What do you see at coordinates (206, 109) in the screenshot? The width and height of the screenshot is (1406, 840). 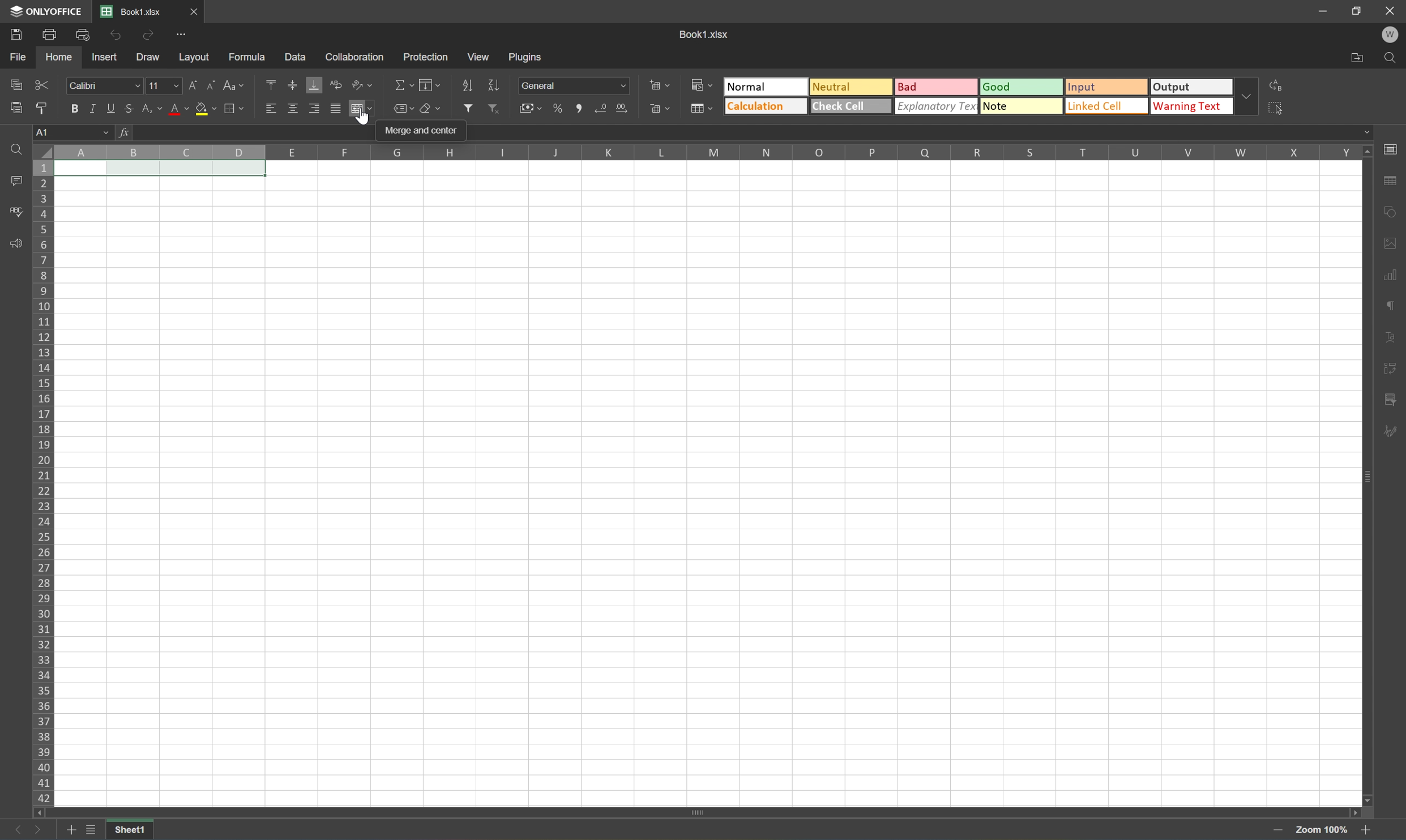 I see `Fill color` at bounding box center [206, 109].